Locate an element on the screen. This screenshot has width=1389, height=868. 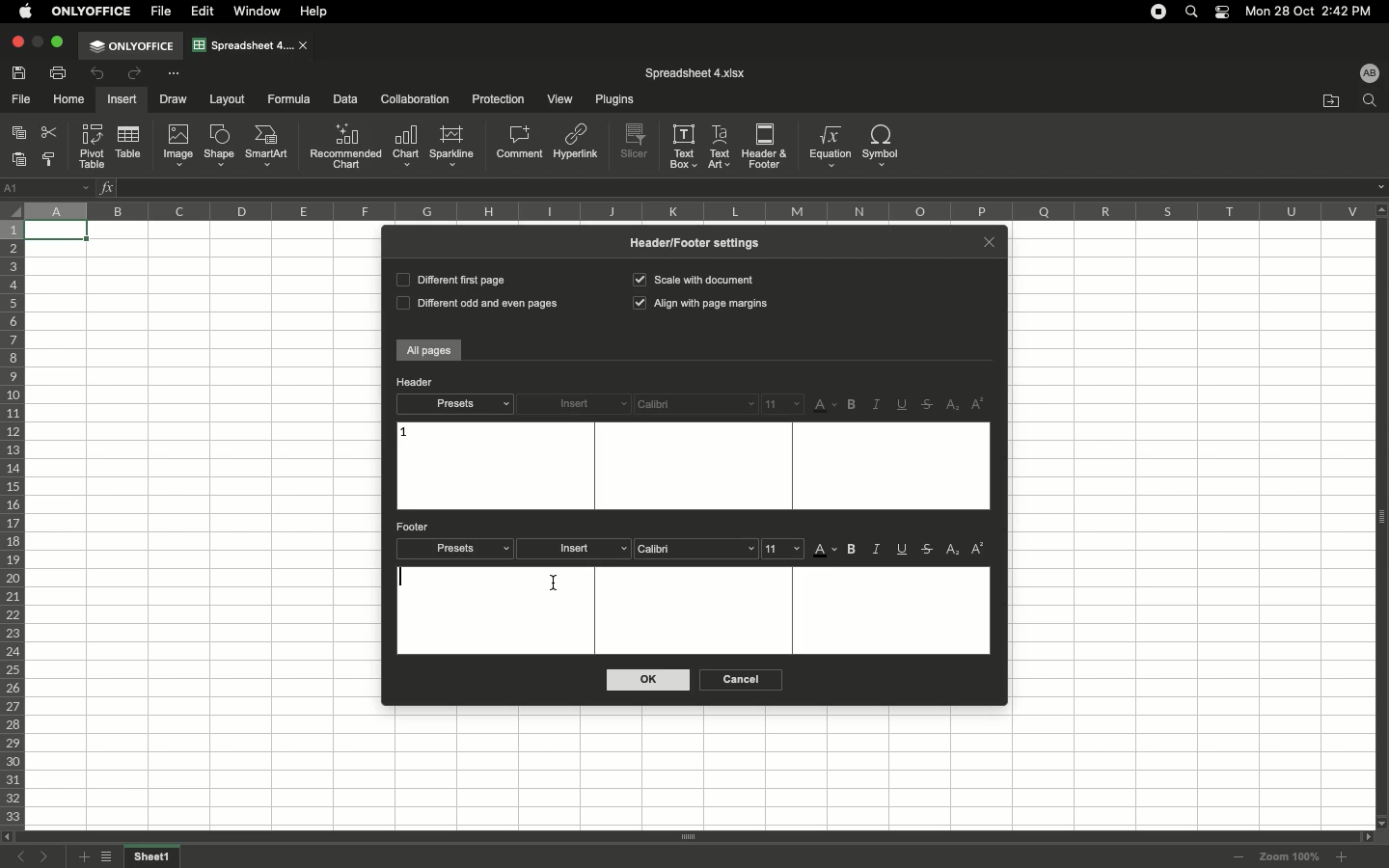
Insert function is located at coordinates (108, 187).